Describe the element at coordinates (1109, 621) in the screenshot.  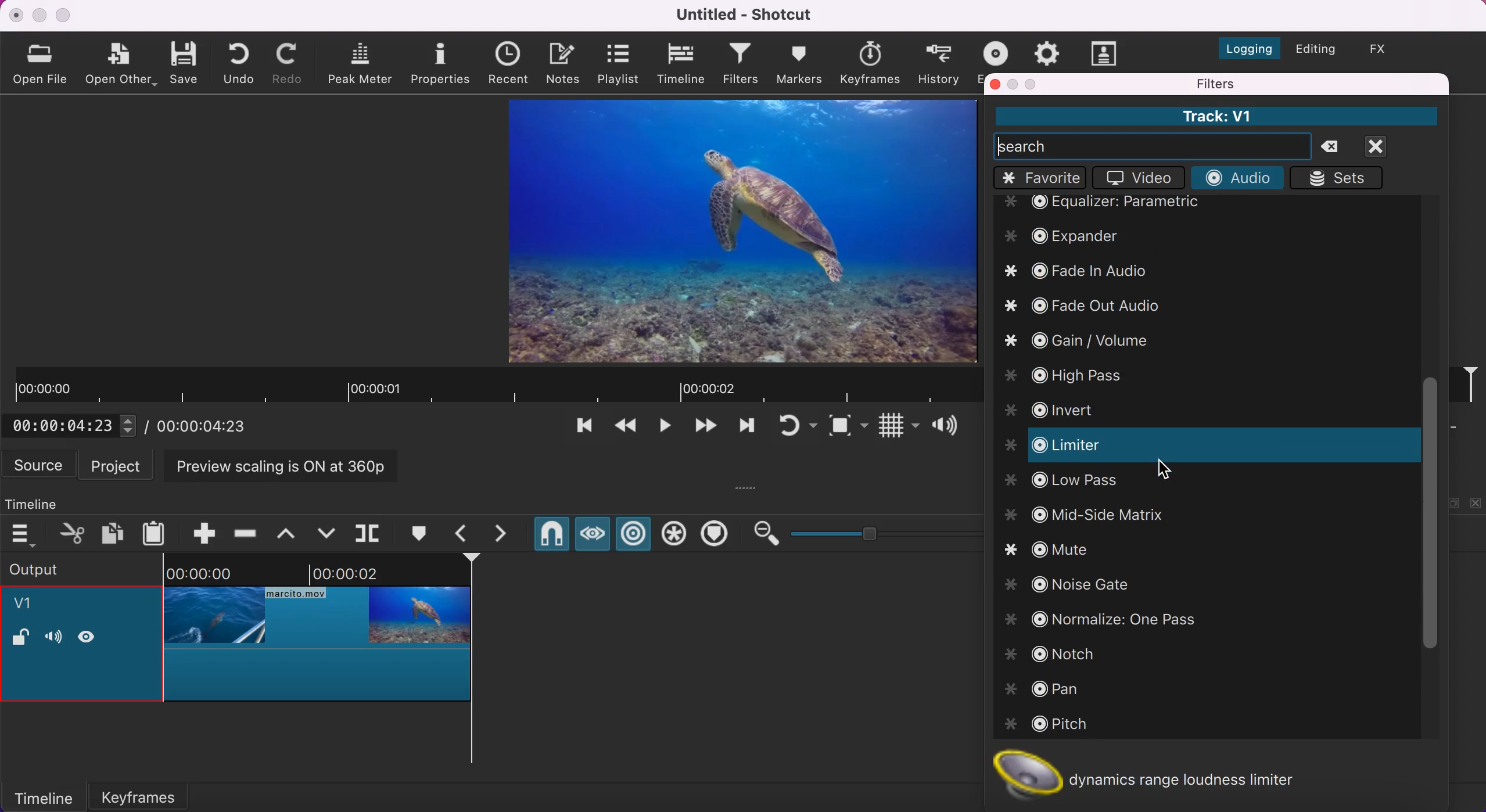
I see `normalize: one pass` at that location.